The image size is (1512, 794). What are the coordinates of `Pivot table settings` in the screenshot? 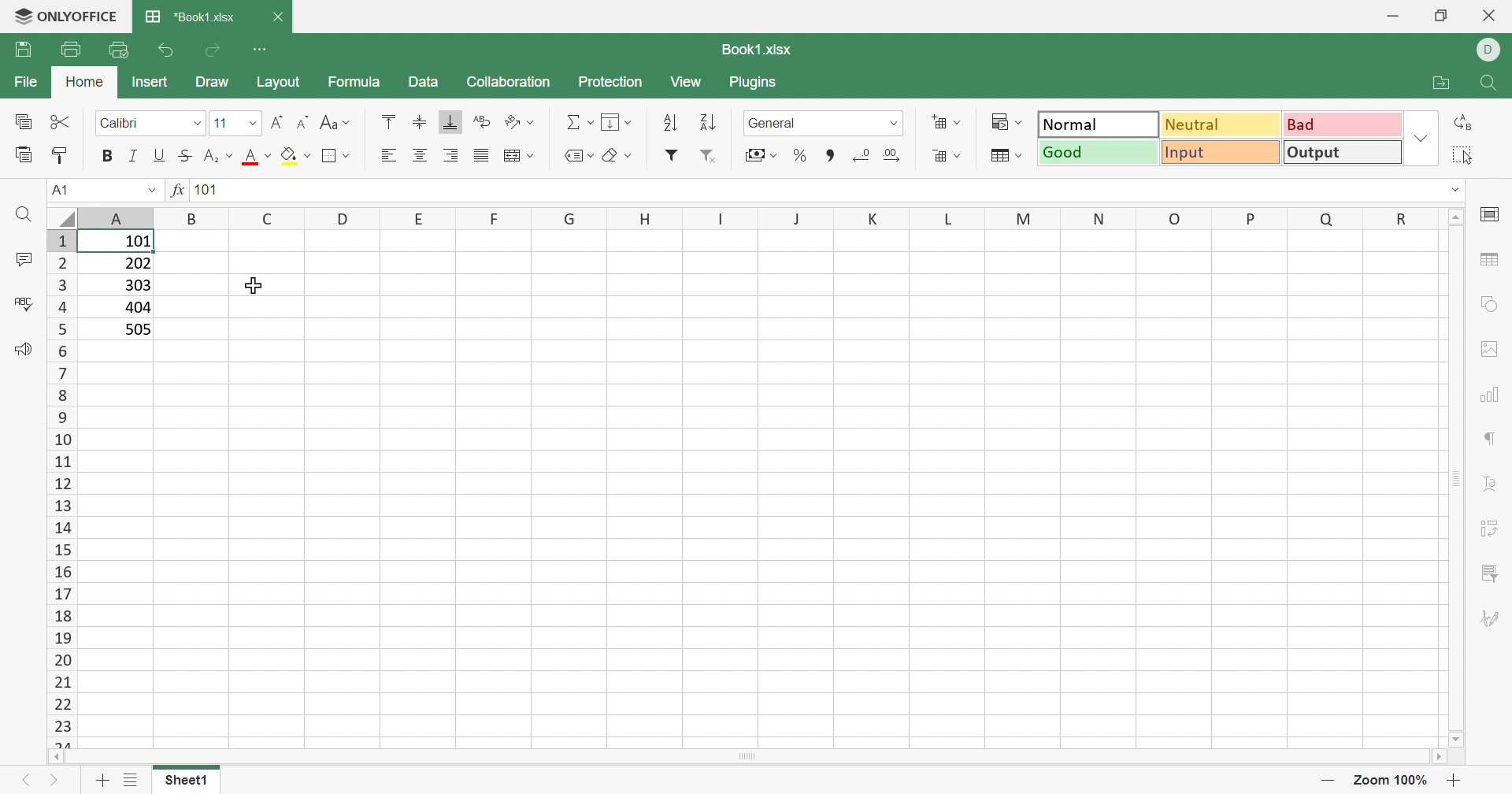 It's located at (1496, 532).